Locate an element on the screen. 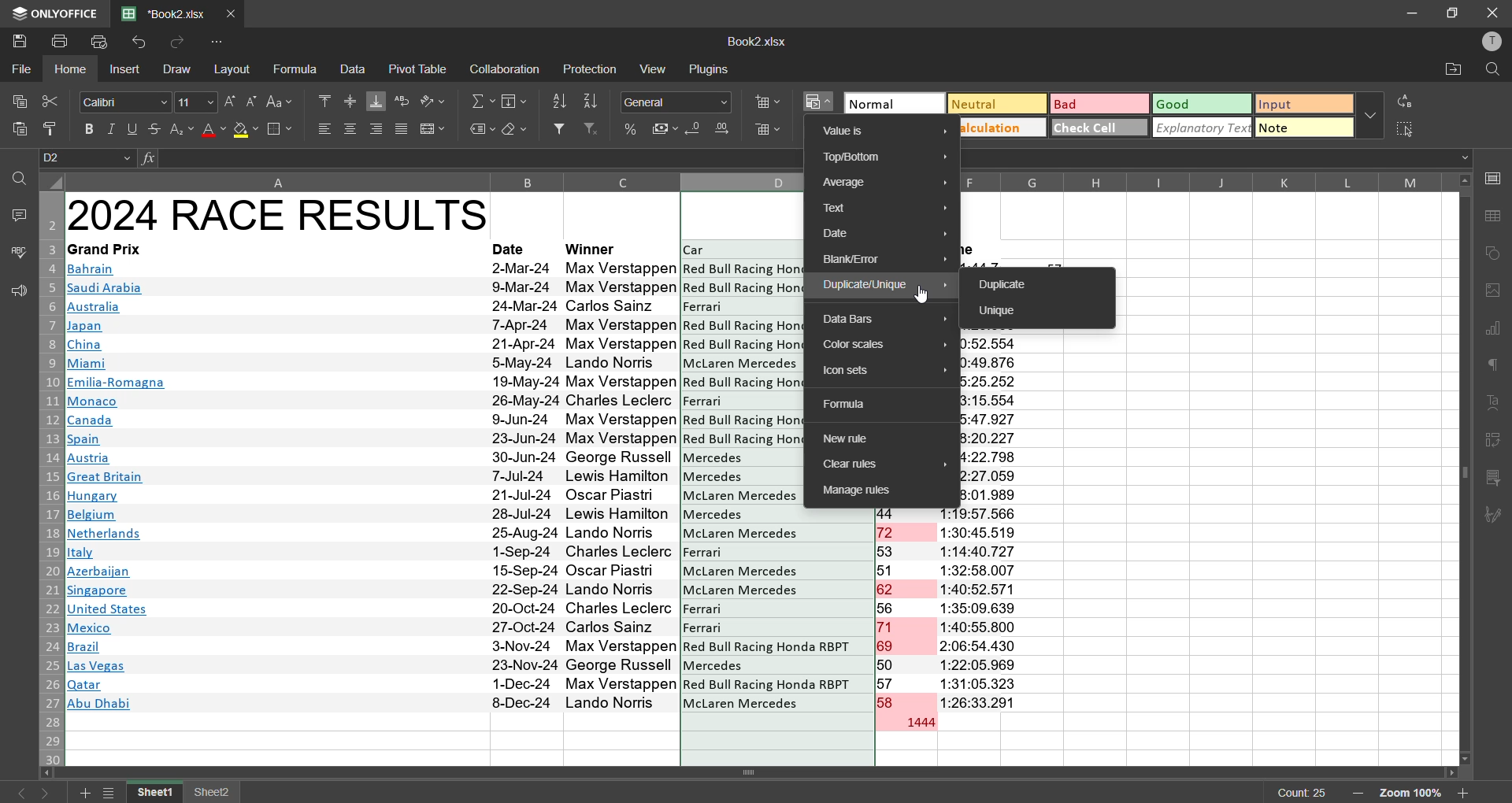  accounting is located at coordinates (665, 126).